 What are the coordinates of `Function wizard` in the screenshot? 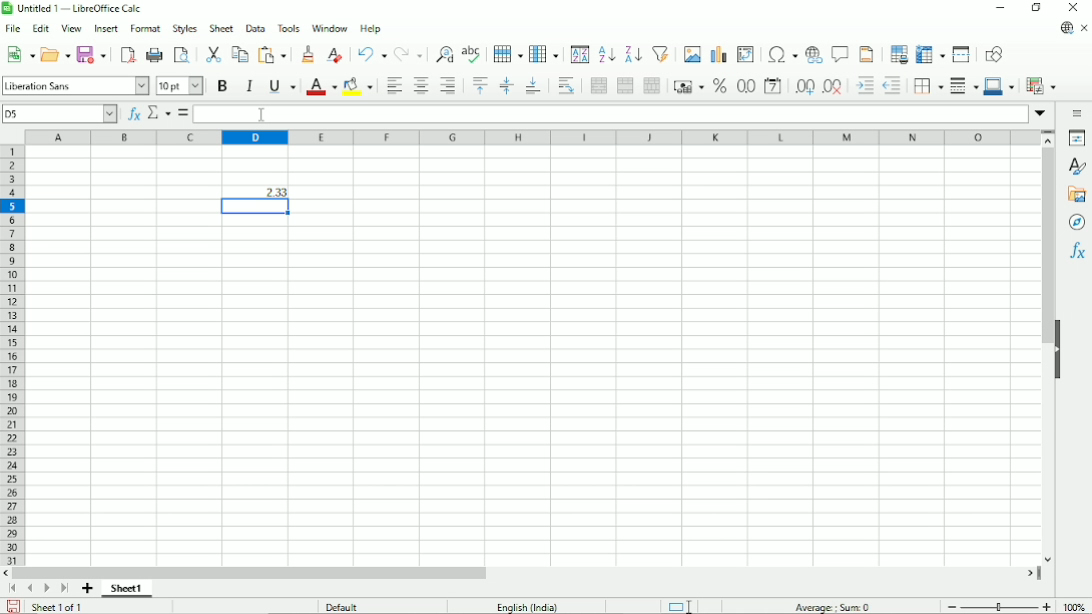 It's located at (133, 114).